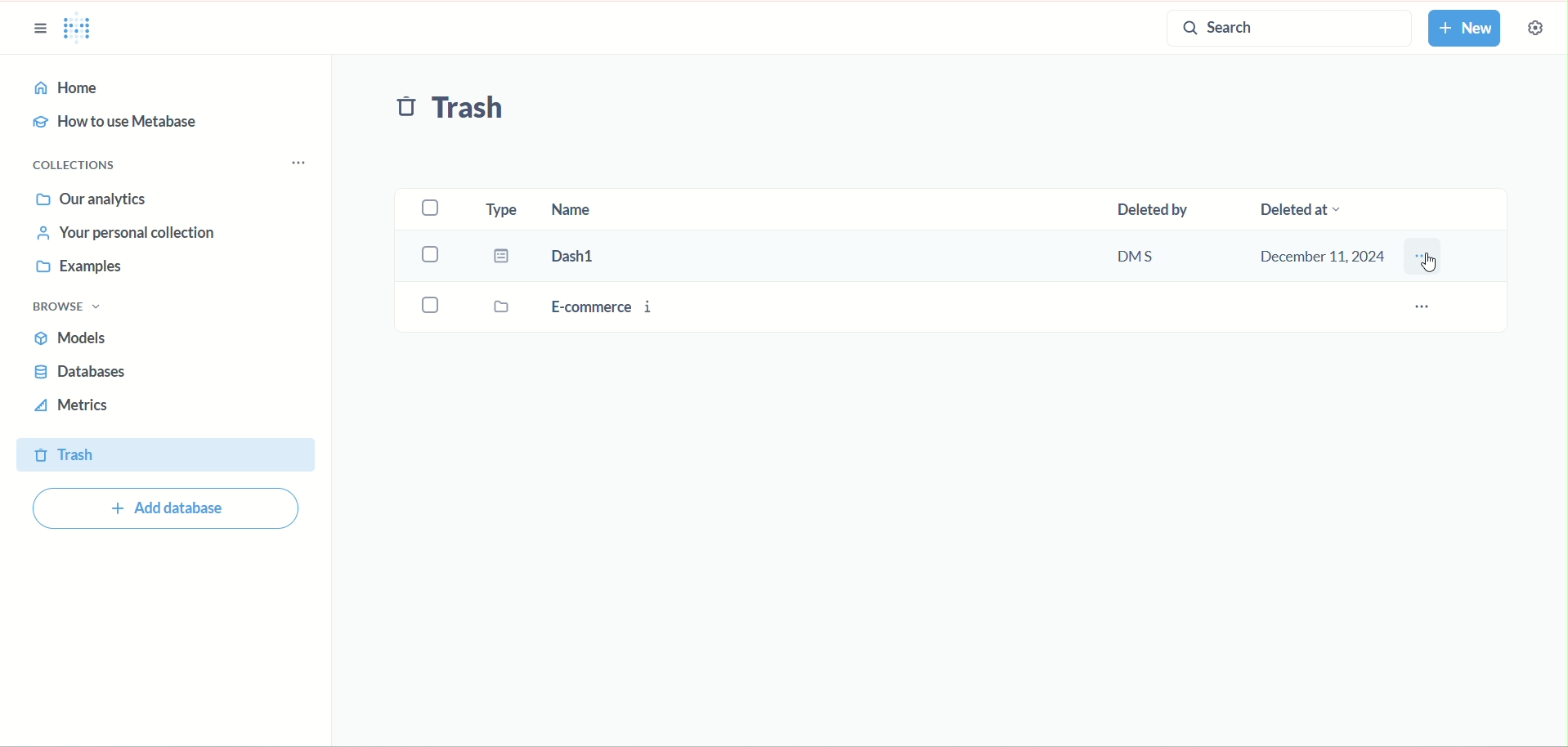 The height and width of the screenshot is (747, 1568). I want to click on new, so click(1470, 29).